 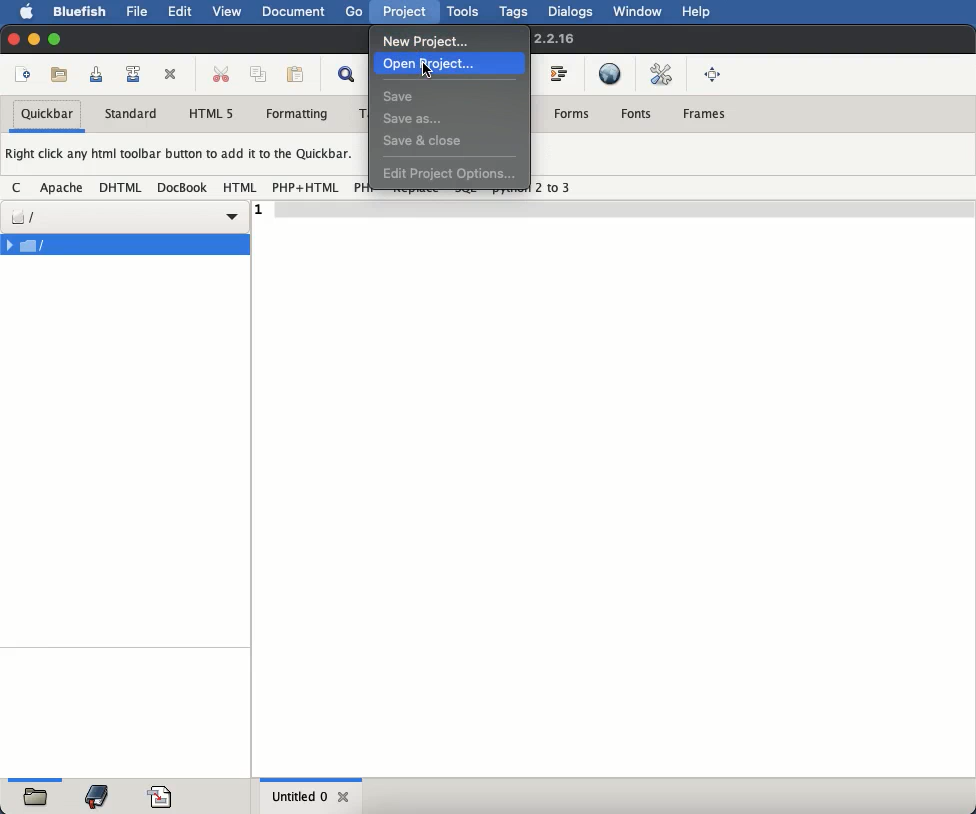 What do you see at coordinates (559, 74) in the screenshot?
I see `indent` at bounding box center [559, 74].